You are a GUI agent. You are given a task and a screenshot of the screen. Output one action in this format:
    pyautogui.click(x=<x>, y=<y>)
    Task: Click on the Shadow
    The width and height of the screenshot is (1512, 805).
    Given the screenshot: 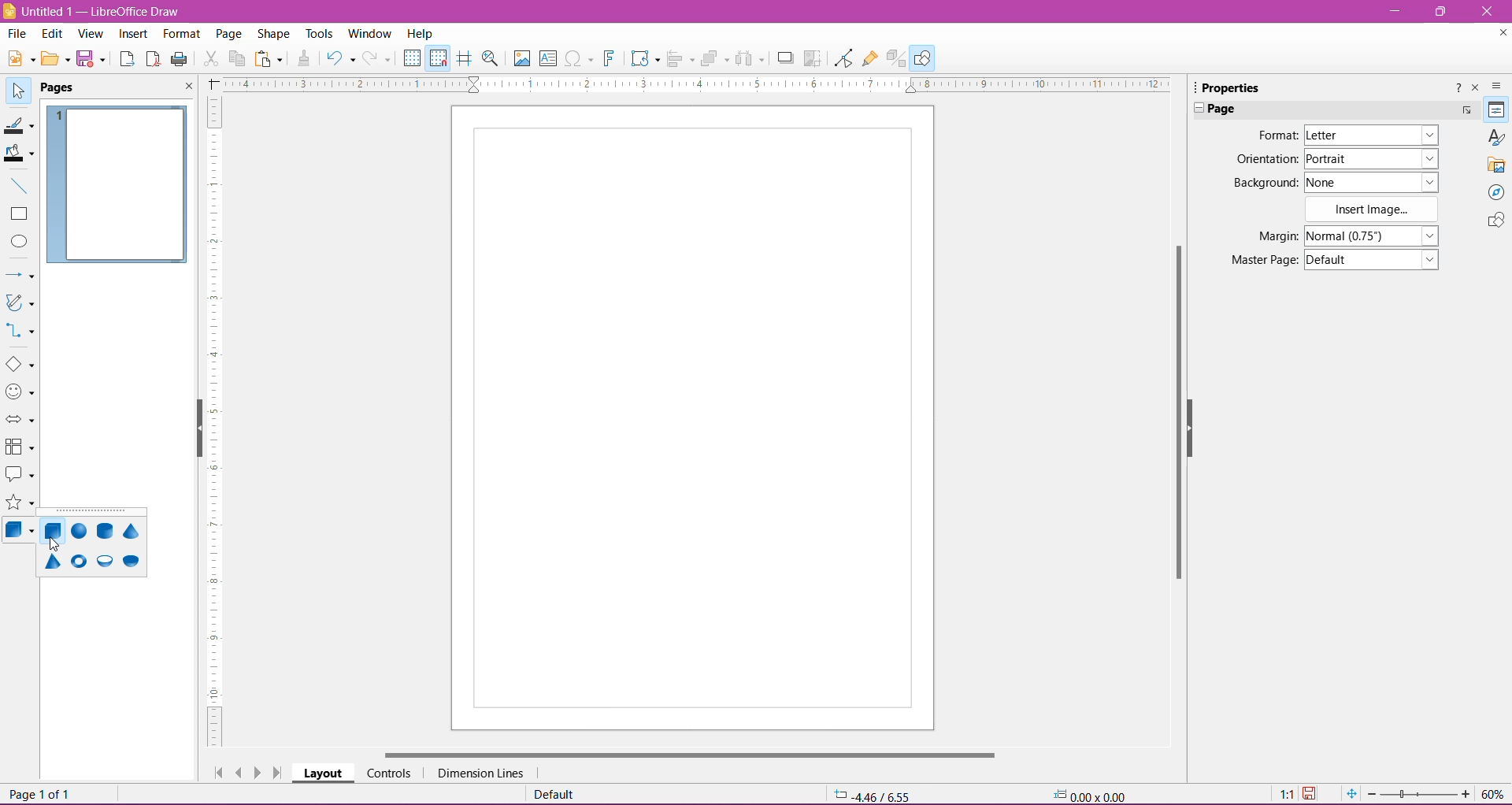 What is the action you would take?
    pyautogui.click(x=785, y=59)
    